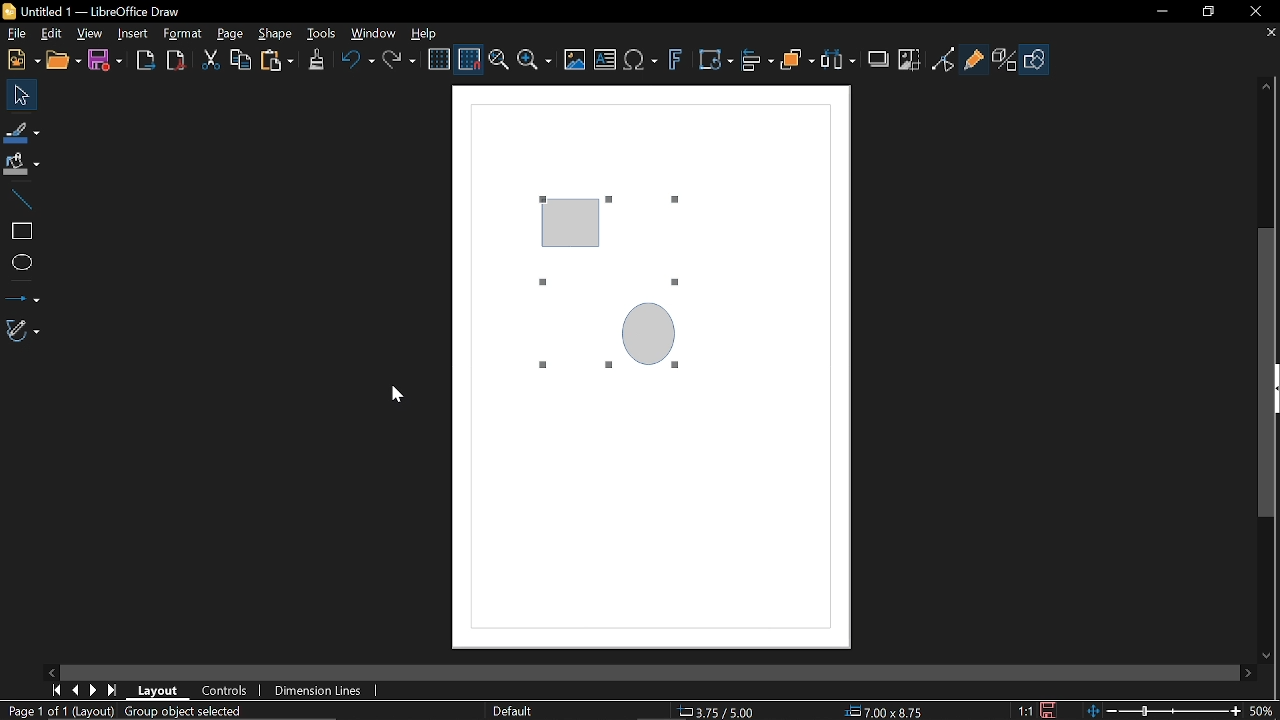 The width and height of the screenshot is (1280, 720). I want to click on Copy, so click(239, 60).